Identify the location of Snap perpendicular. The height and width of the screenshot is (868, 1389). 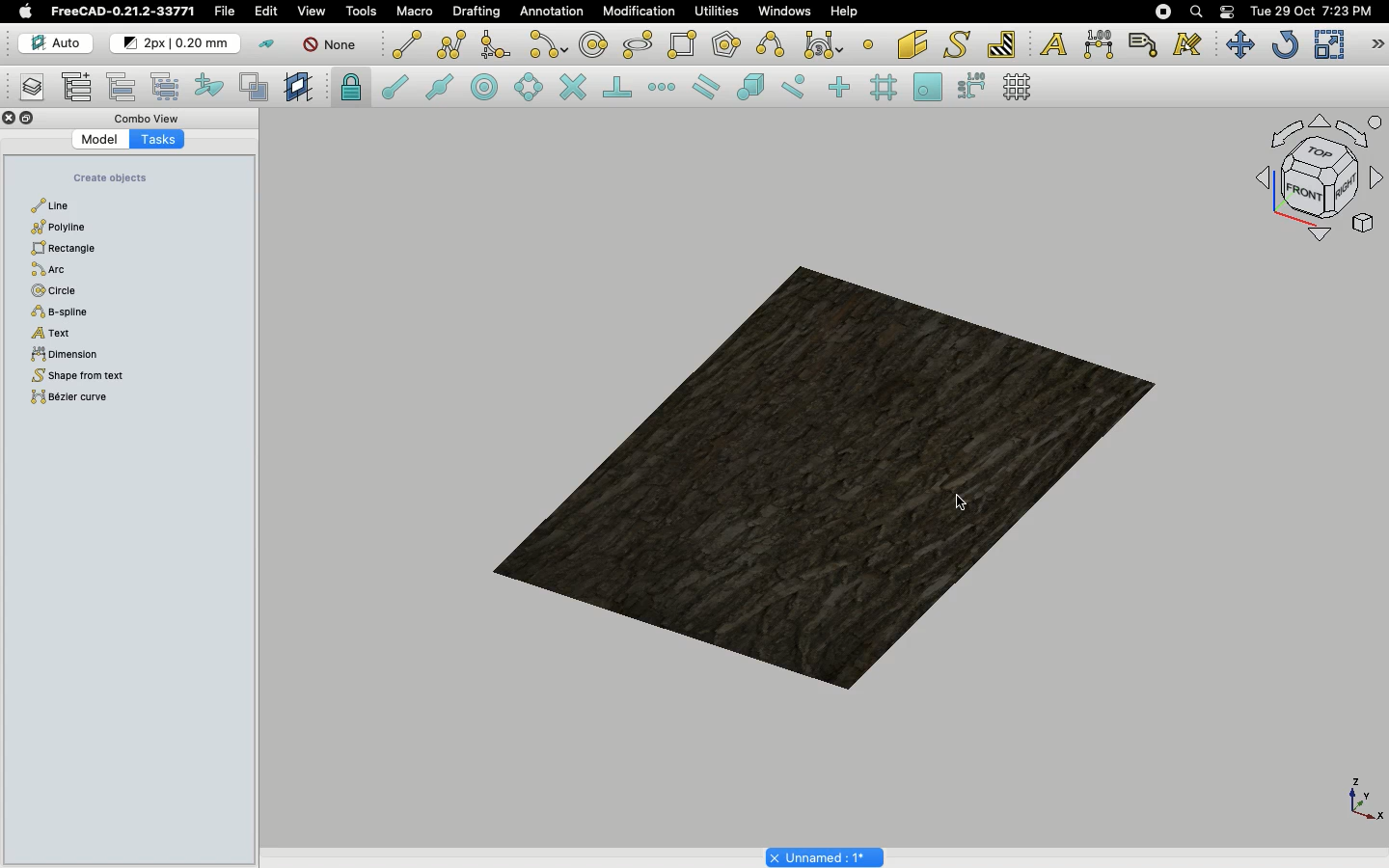
(614, 86).